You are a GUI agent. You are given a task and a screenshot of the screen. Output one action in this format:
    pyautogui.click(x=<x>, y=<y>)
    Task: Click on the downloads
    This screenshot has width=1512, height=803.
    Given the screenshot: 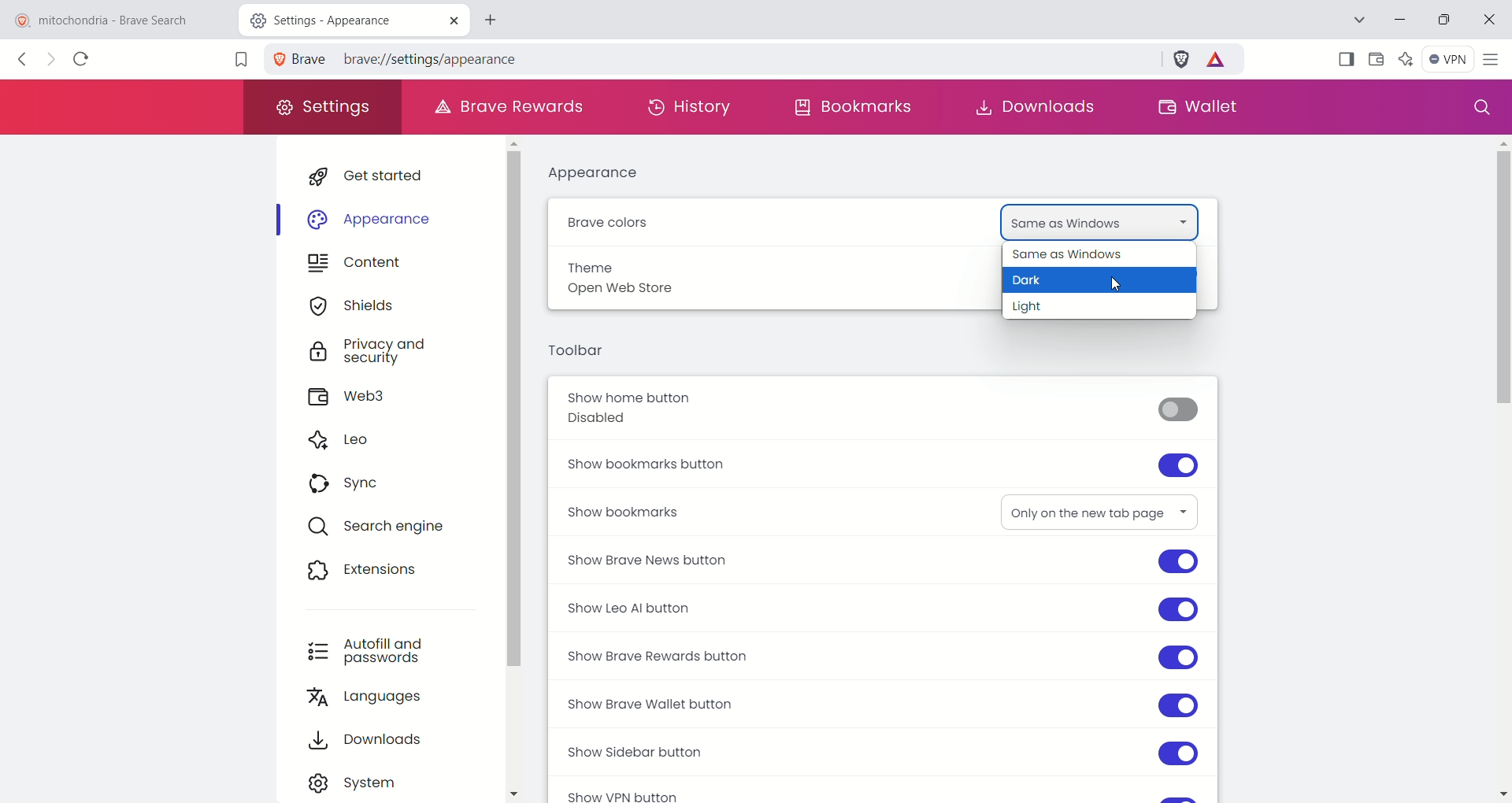 What is the action you would take?
    pyautogui.click(x=375, y=740)
    